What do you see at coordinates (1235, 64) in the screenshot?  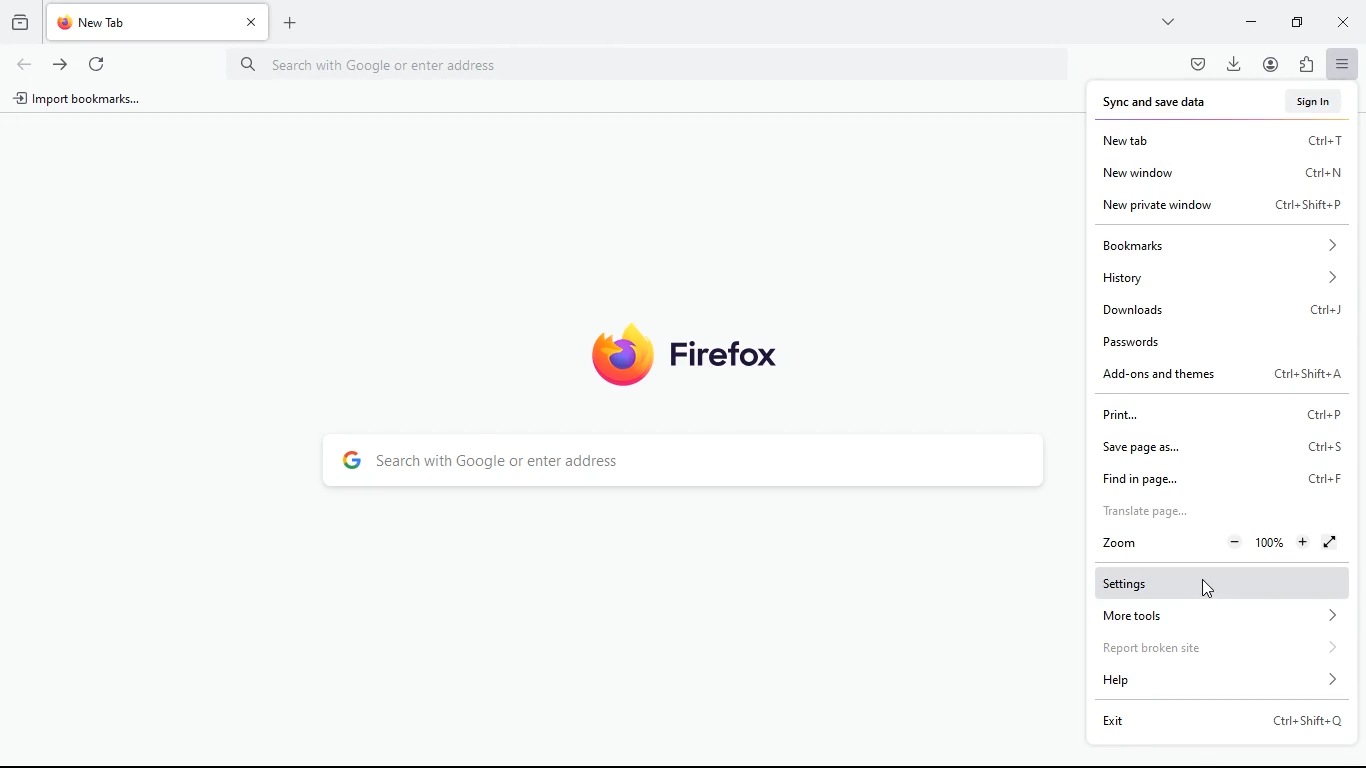 I see `download` at bounding box center [1235, 64].